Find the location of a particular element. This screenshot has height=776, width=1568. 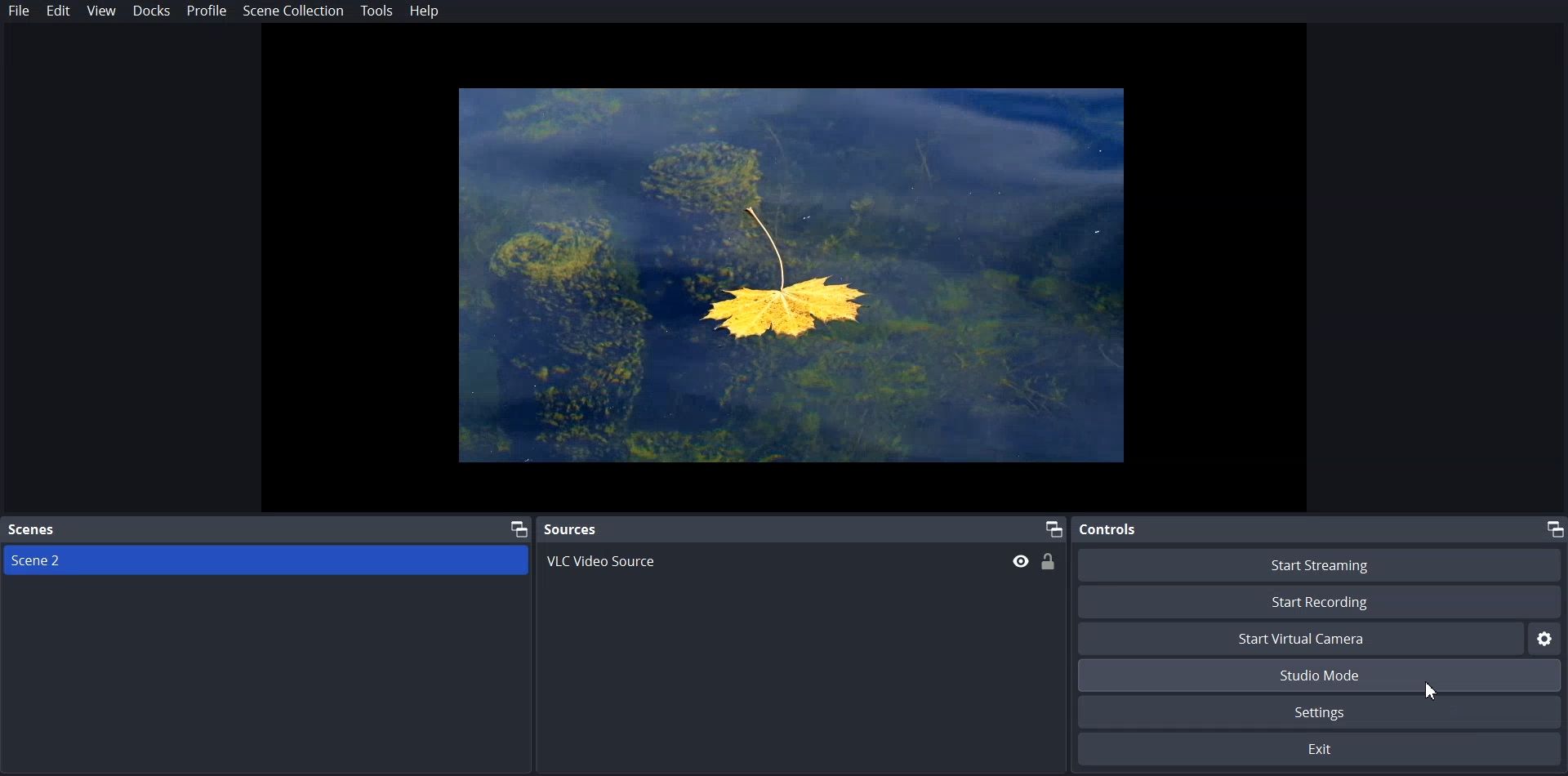

Cursor is located at coordinates (1437, 694).